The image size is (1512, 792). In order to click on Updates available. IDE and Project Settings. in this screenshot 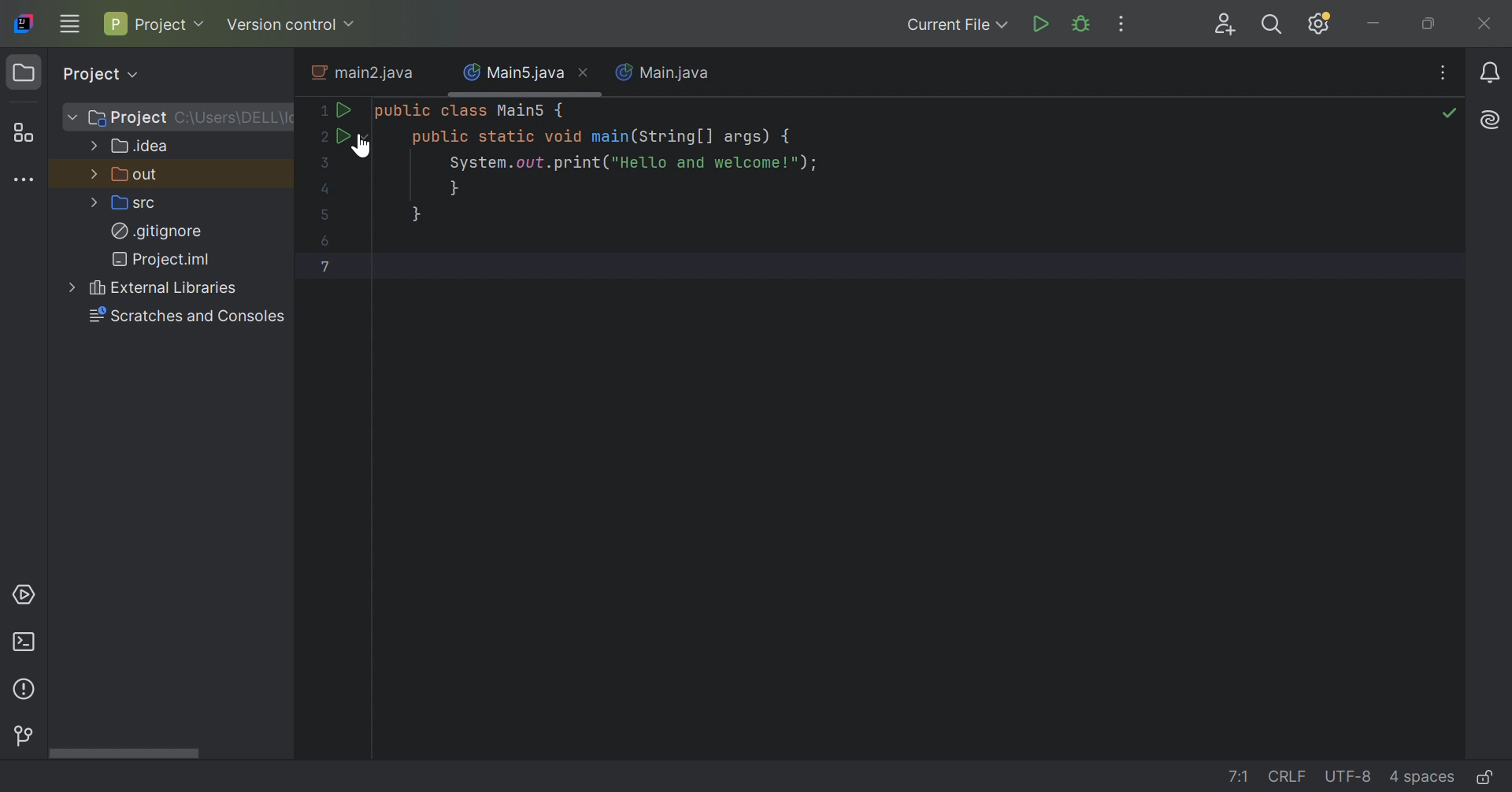, I will do `click(1318, 23)`.